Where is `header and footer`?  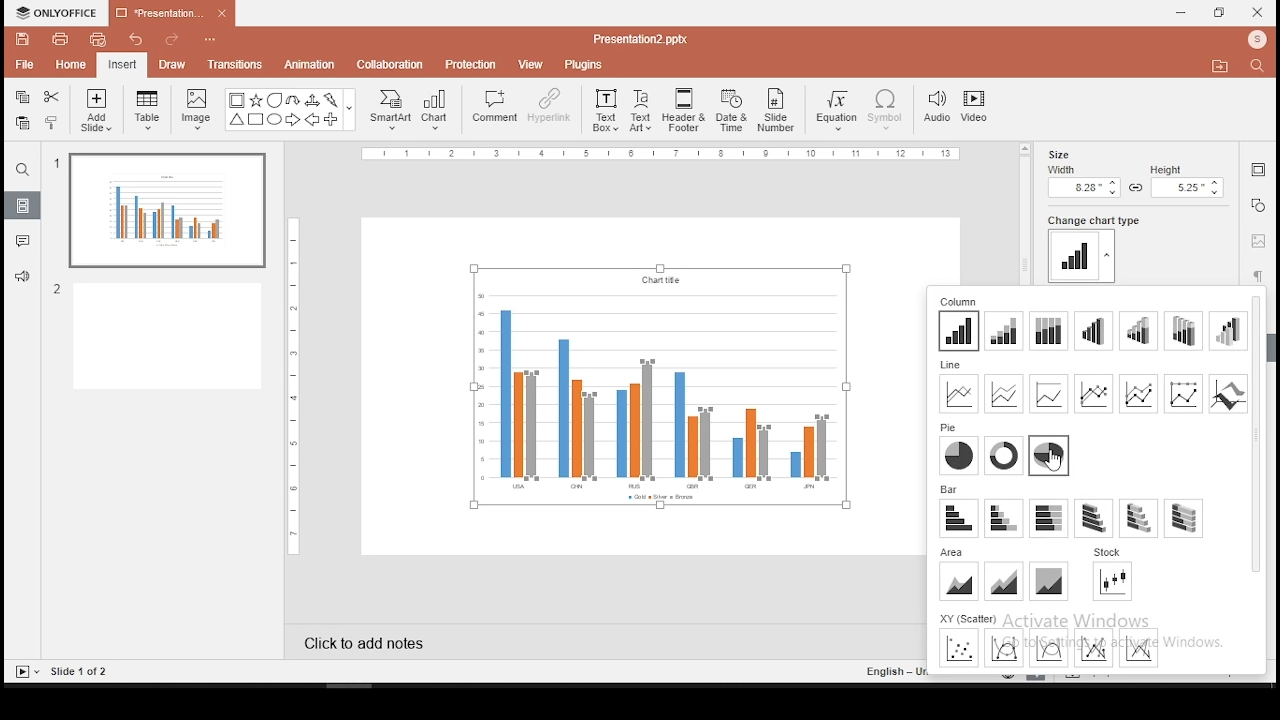 header and footer is located at coordinates (684, 110).